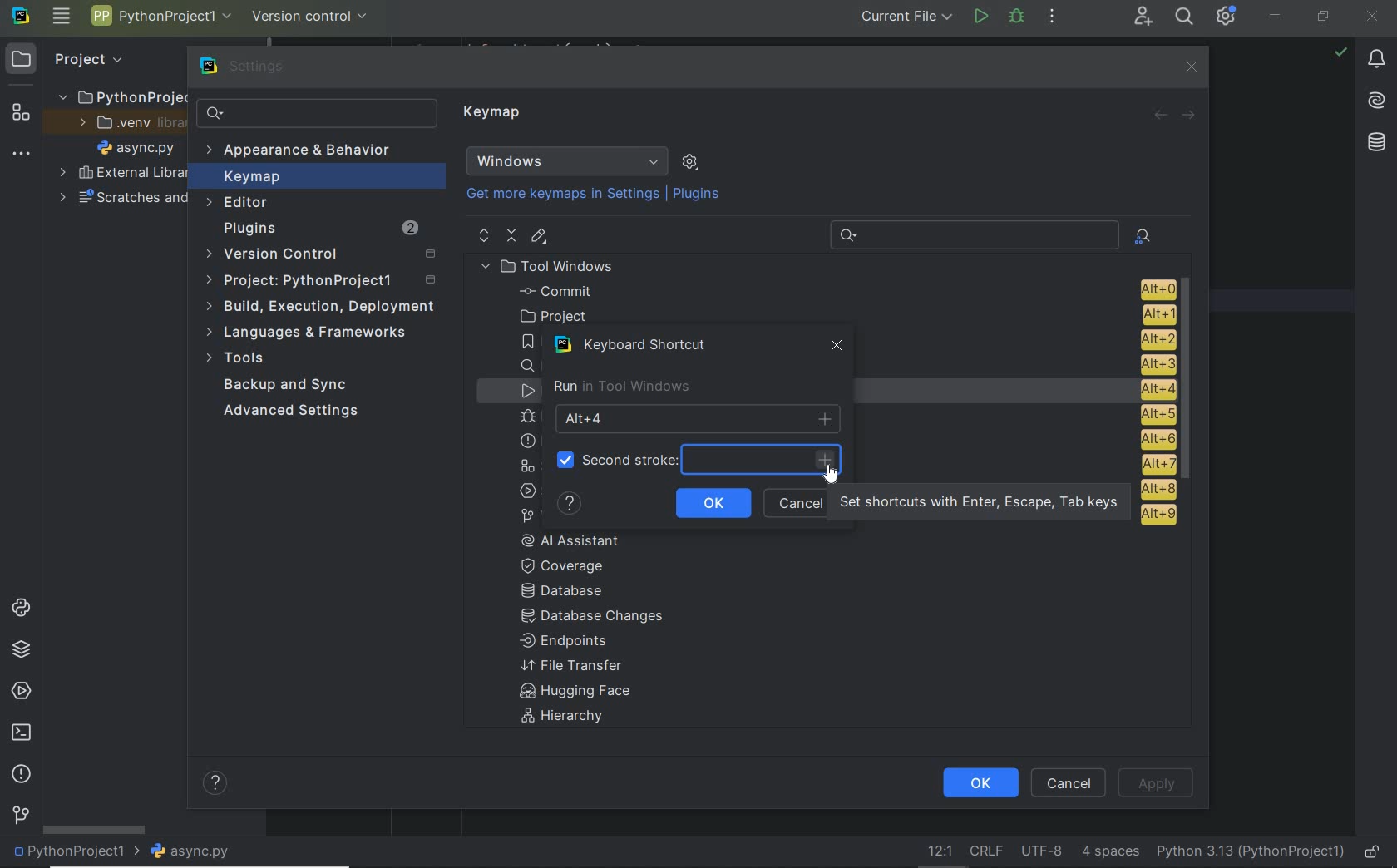  What do you see at coordinates (190, 852) in the screenshot?
I see `file name` at bounding box center [190, 852].